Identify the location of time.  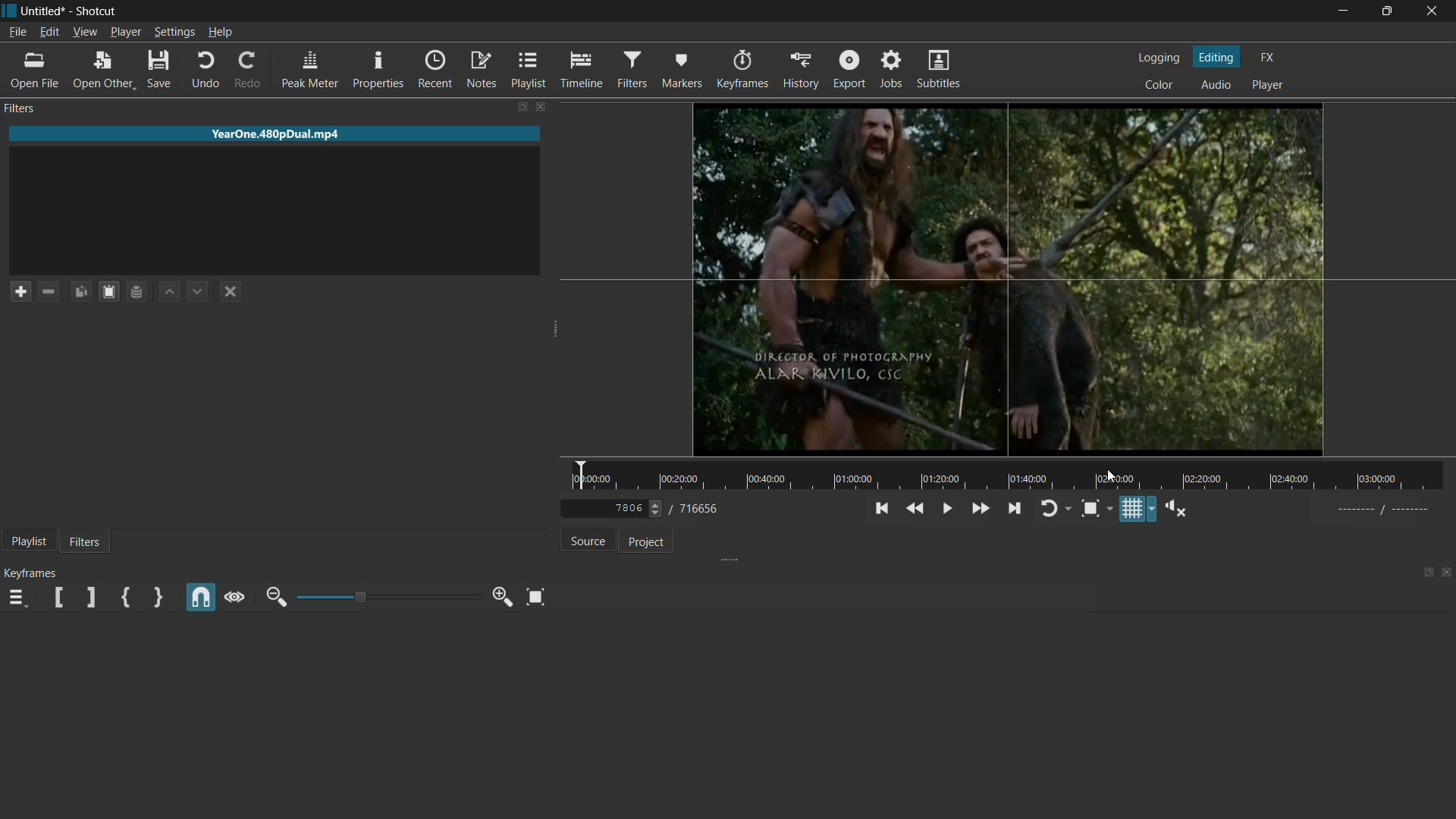
(1012, 475).